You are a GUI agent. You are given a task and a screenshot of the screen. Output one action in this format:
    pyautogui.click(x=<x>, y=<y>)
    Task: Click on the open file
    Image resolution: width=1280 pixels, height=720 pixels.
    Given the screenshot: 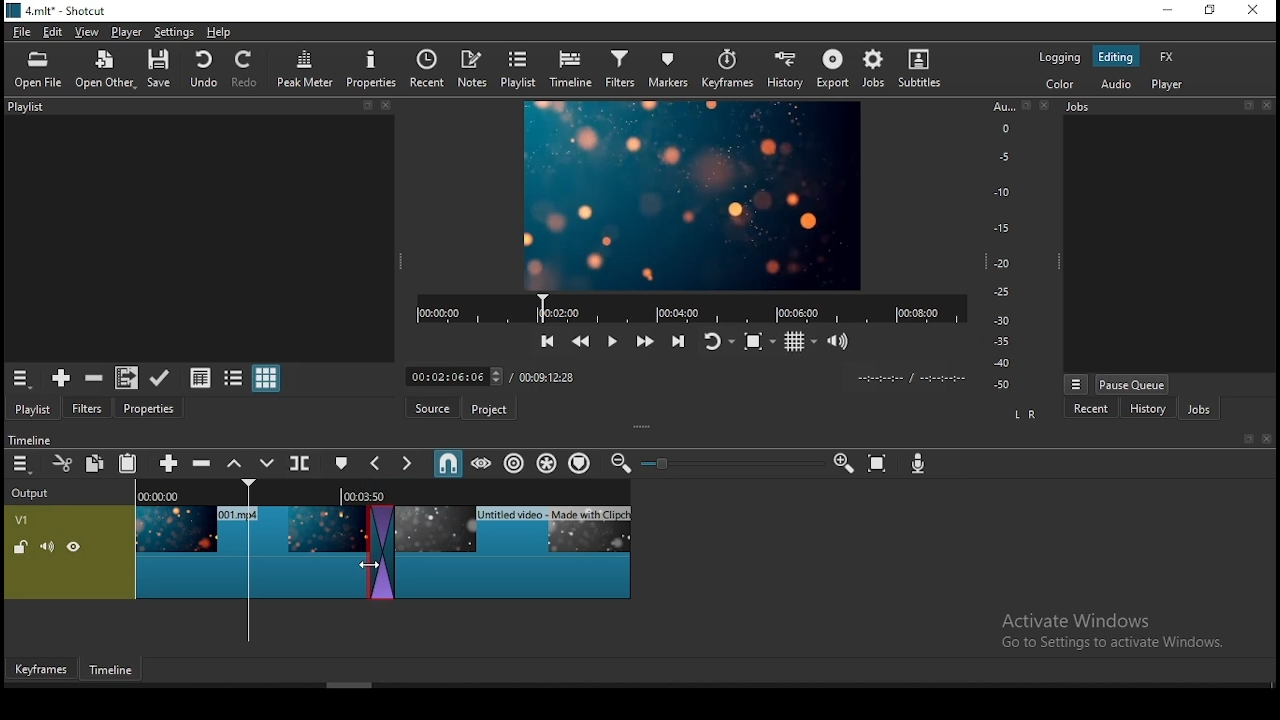 What is the action you would take?
    pyautogui.click(x=37, y=70)
    